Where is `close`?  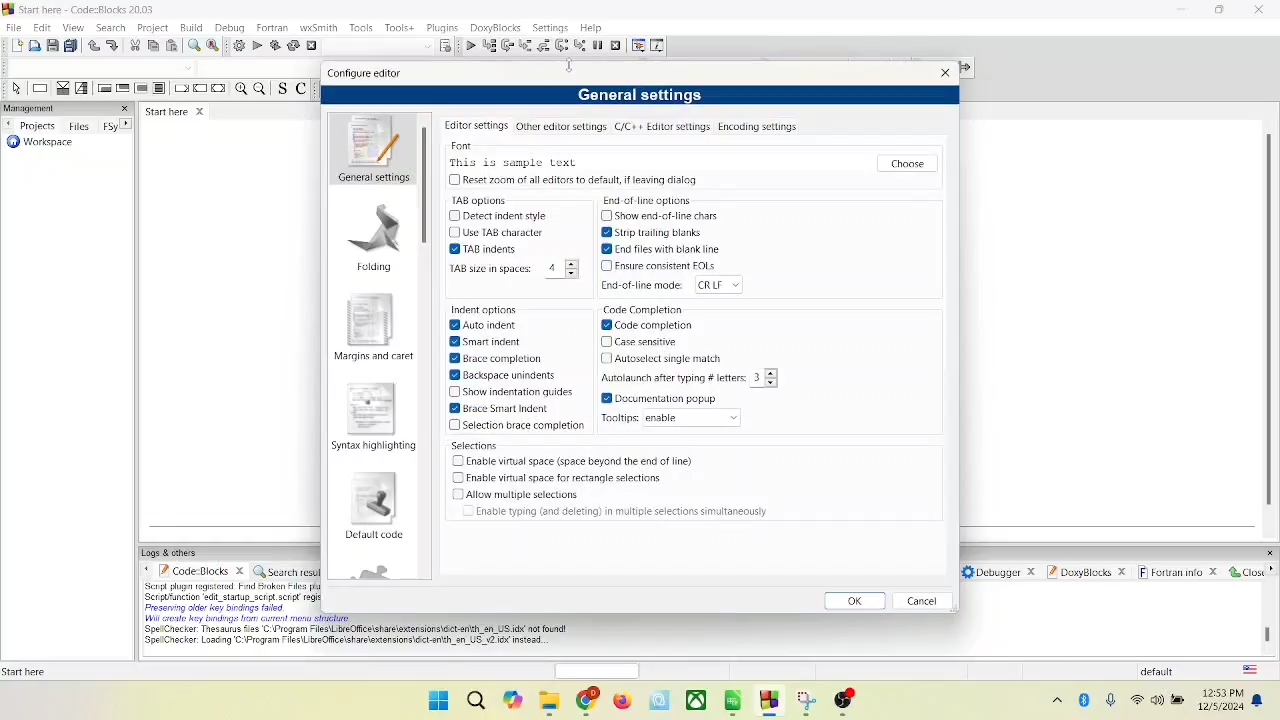 close is located at coordinates (202, 110).